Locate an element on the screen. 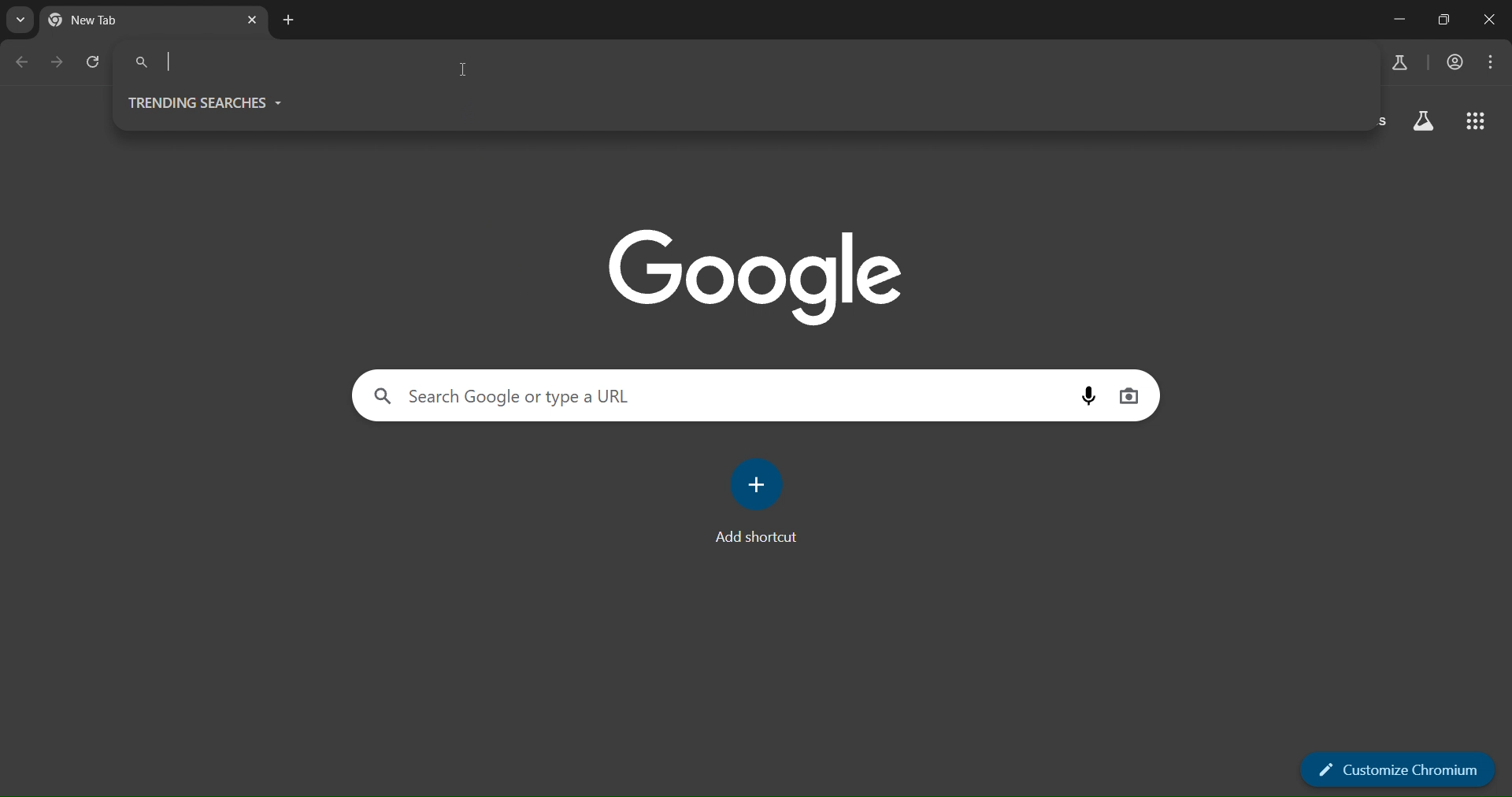 This screenshot has width=1512, height=797. close is located at coordinates (1493, 21).